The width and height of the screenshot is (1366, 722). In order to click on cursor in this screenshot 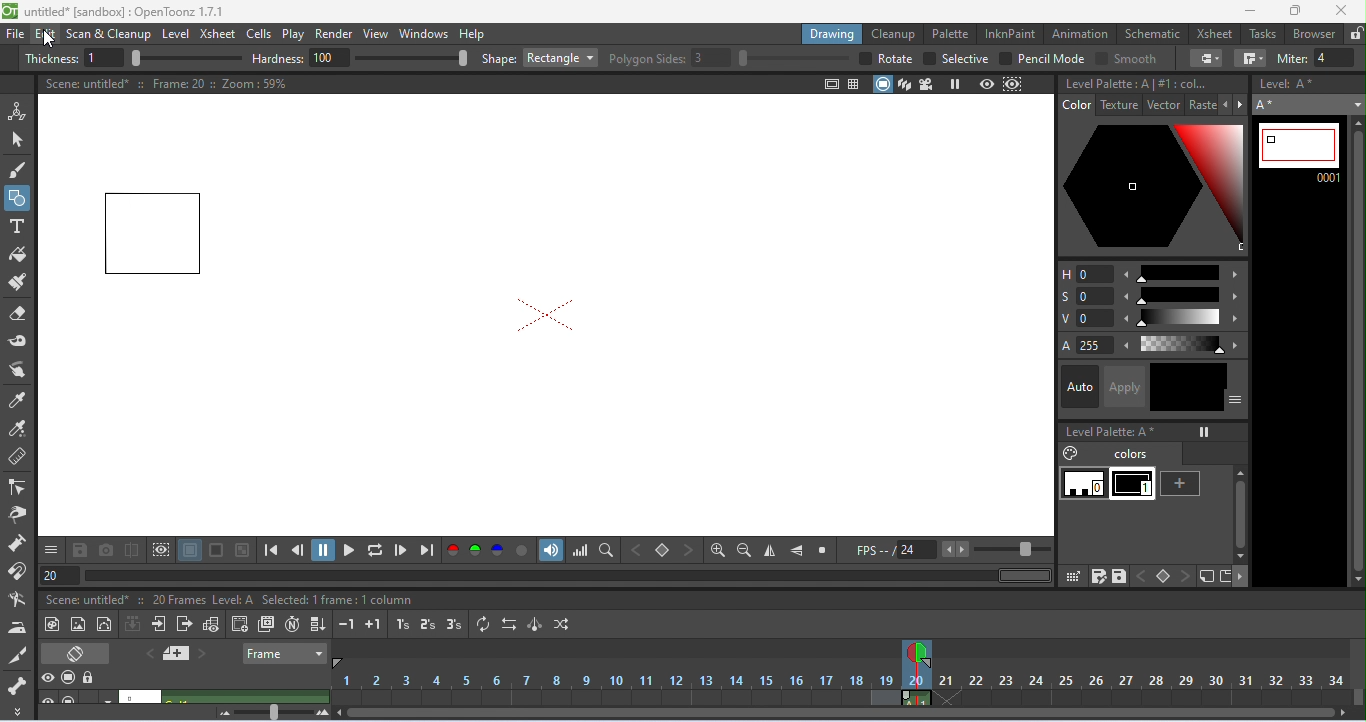, I will do `click(50, 38)`.